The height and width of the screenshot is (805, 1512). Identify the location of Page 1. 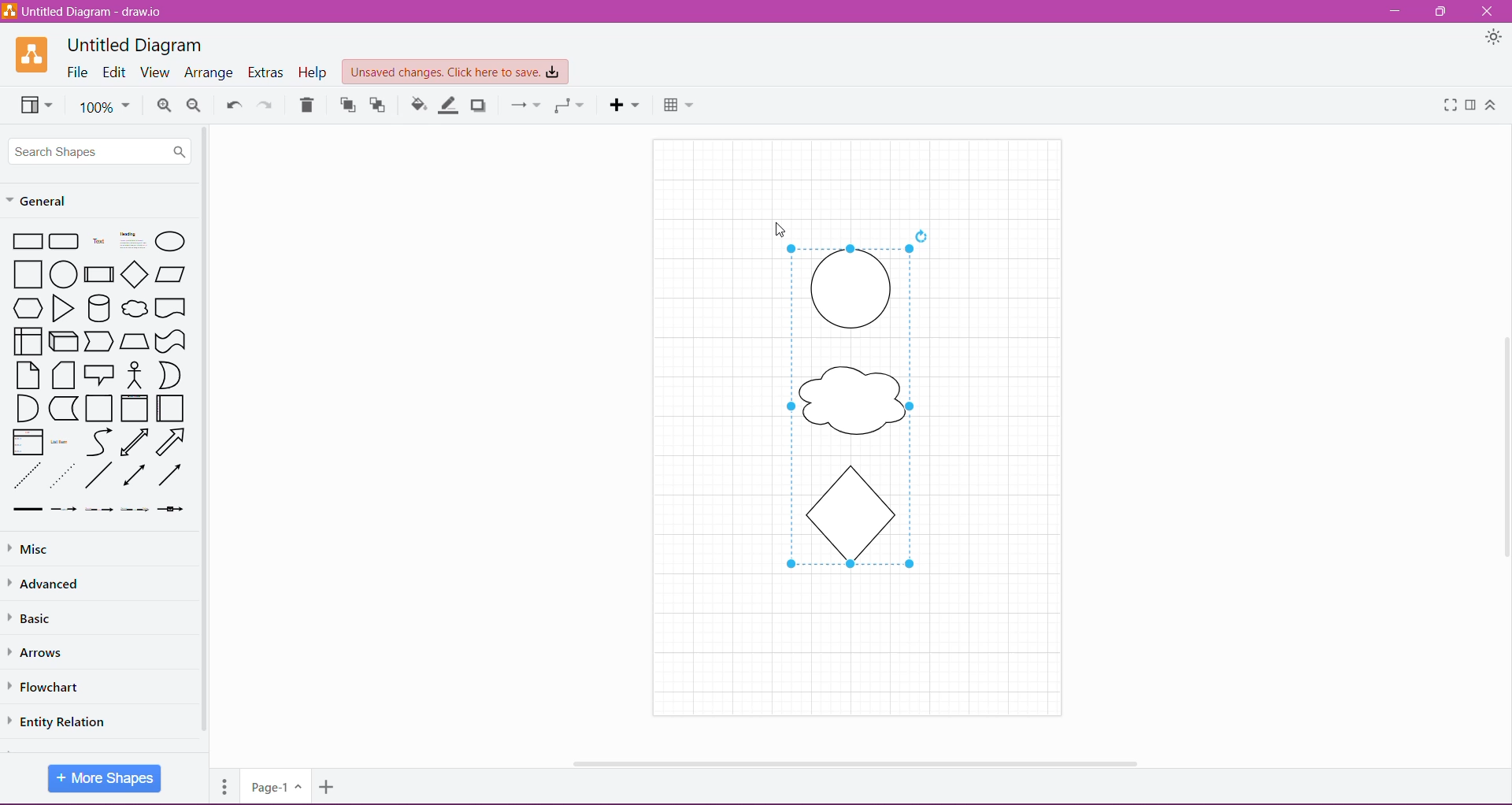
(274, 785).